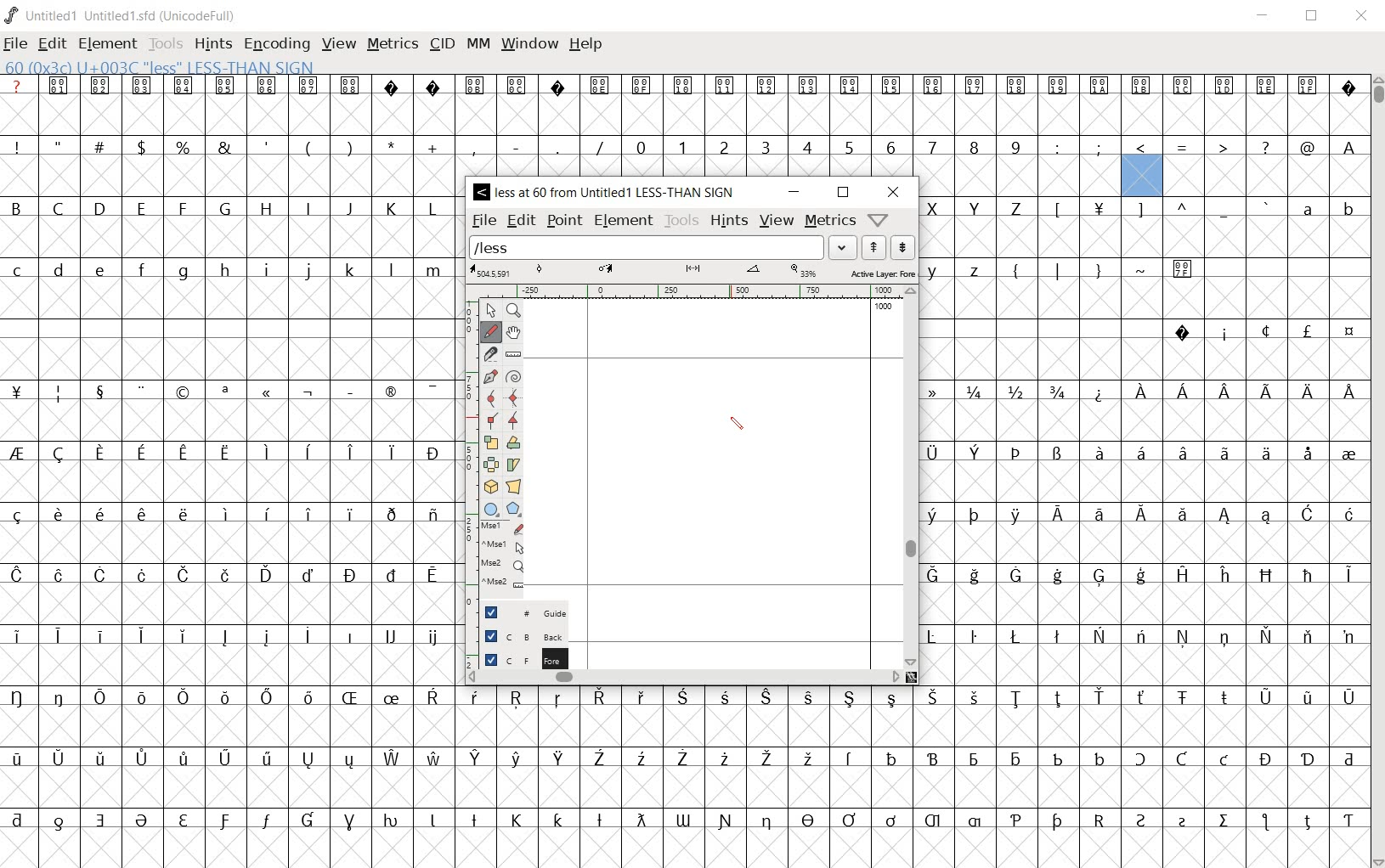  Describe the element at coordinates (491, 463) in the screenshot. I see `flip the selection` at that location.